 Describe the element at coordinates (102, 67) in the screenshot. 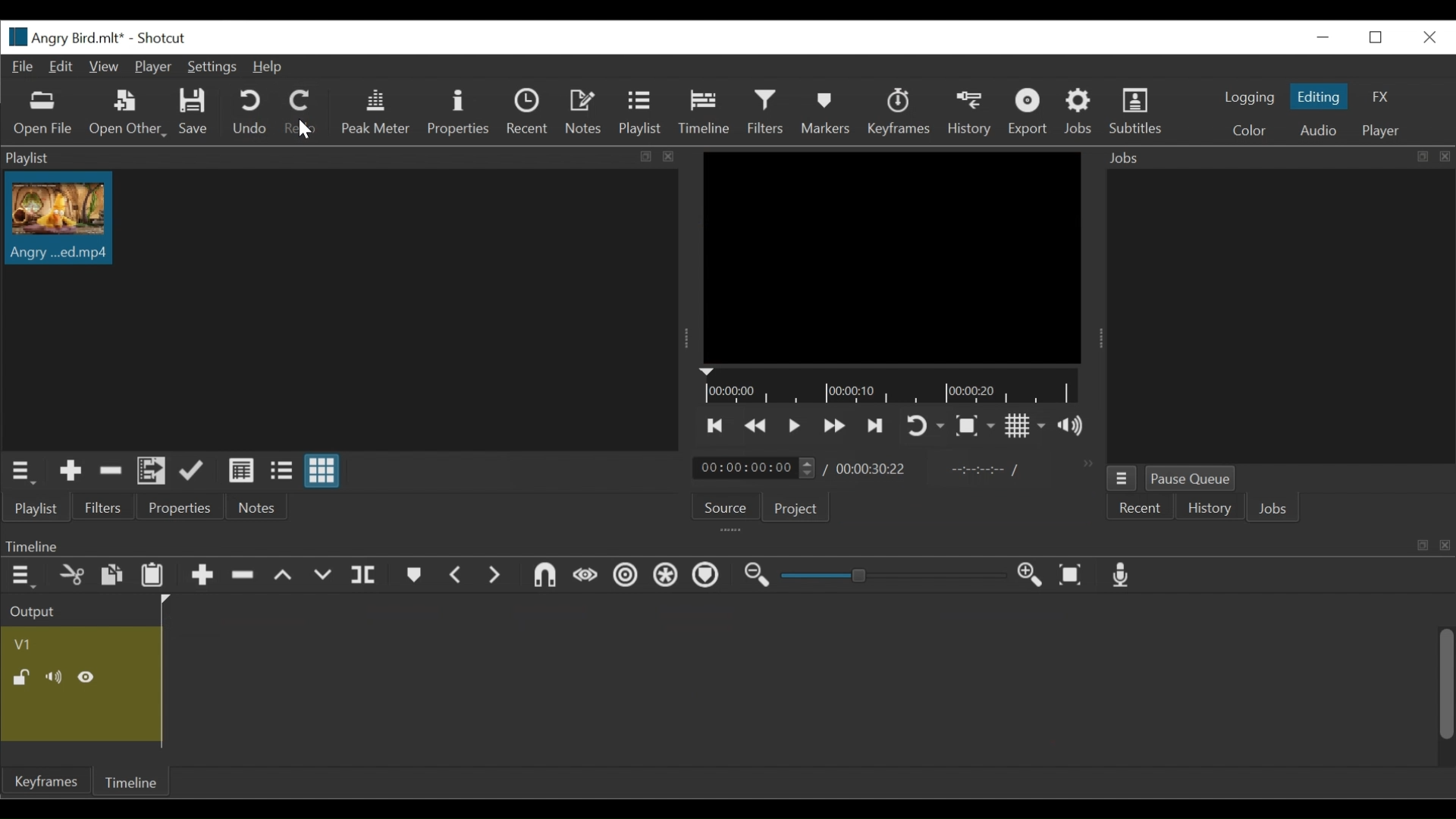

I see `View` at that location.